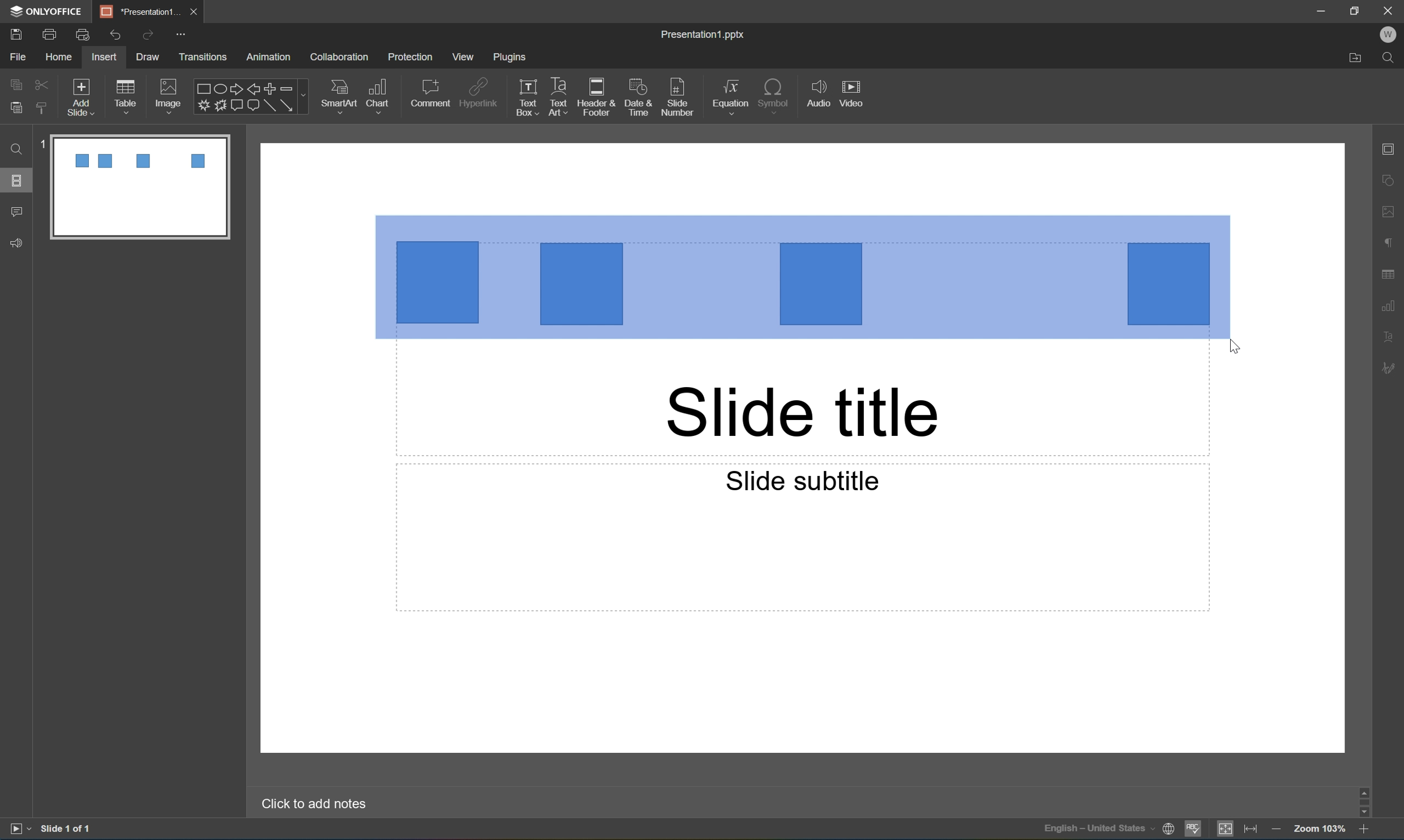  Describe the element at coordinates (196, 12) in the screenshot. I see `close` at that location.